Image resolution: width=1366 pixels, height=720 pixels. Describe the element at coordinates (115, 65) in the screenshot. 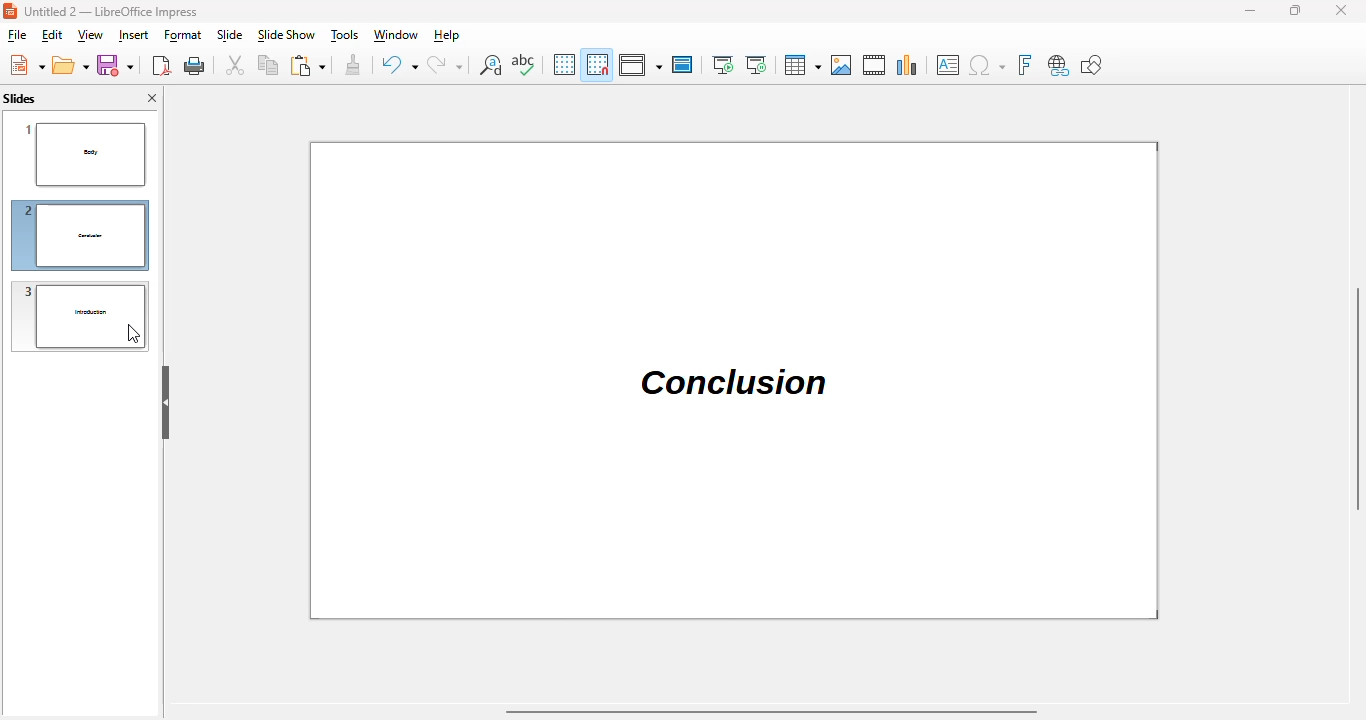

I see `save` at that location.